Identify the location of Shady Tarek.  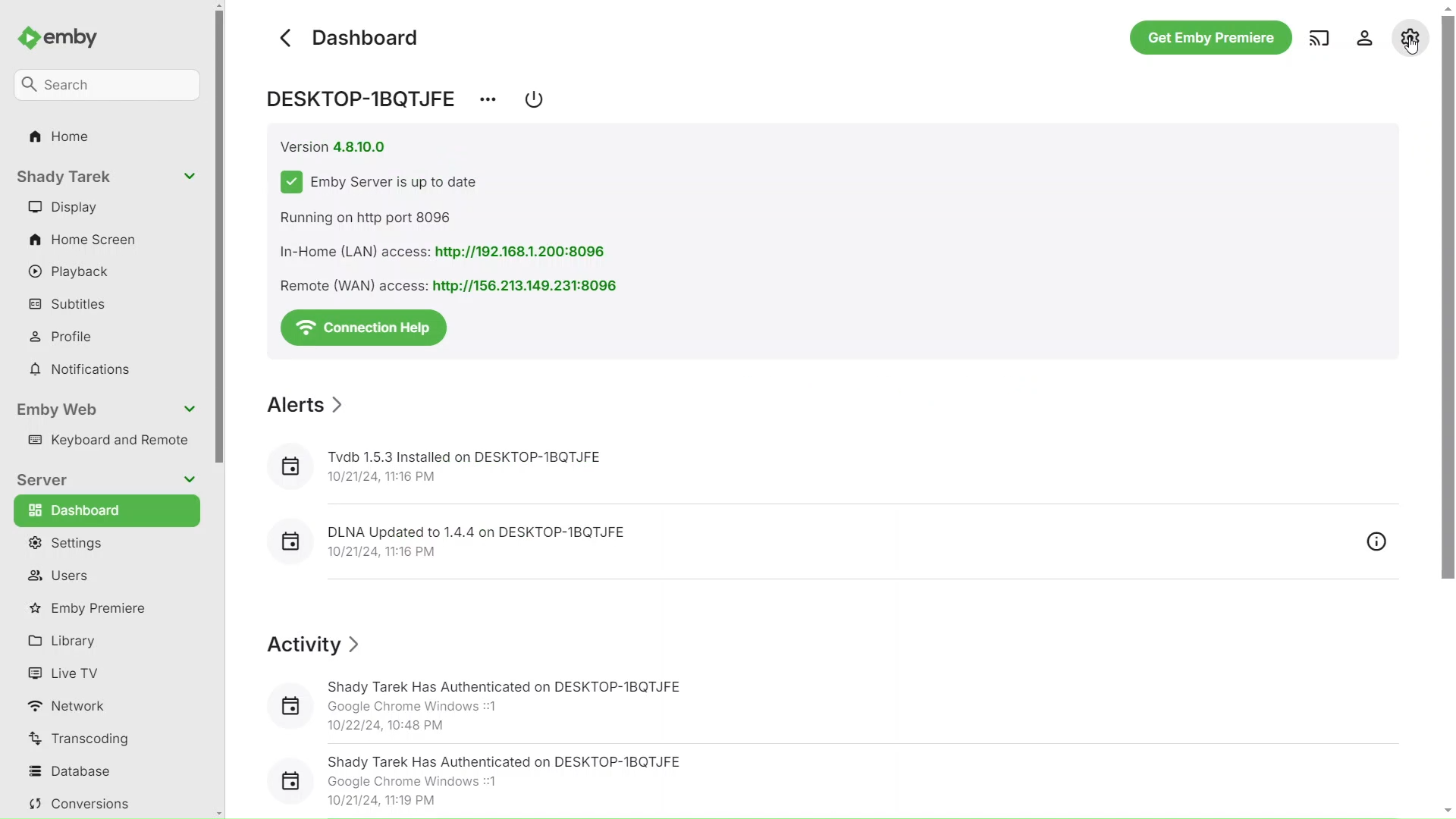
(102, 174).